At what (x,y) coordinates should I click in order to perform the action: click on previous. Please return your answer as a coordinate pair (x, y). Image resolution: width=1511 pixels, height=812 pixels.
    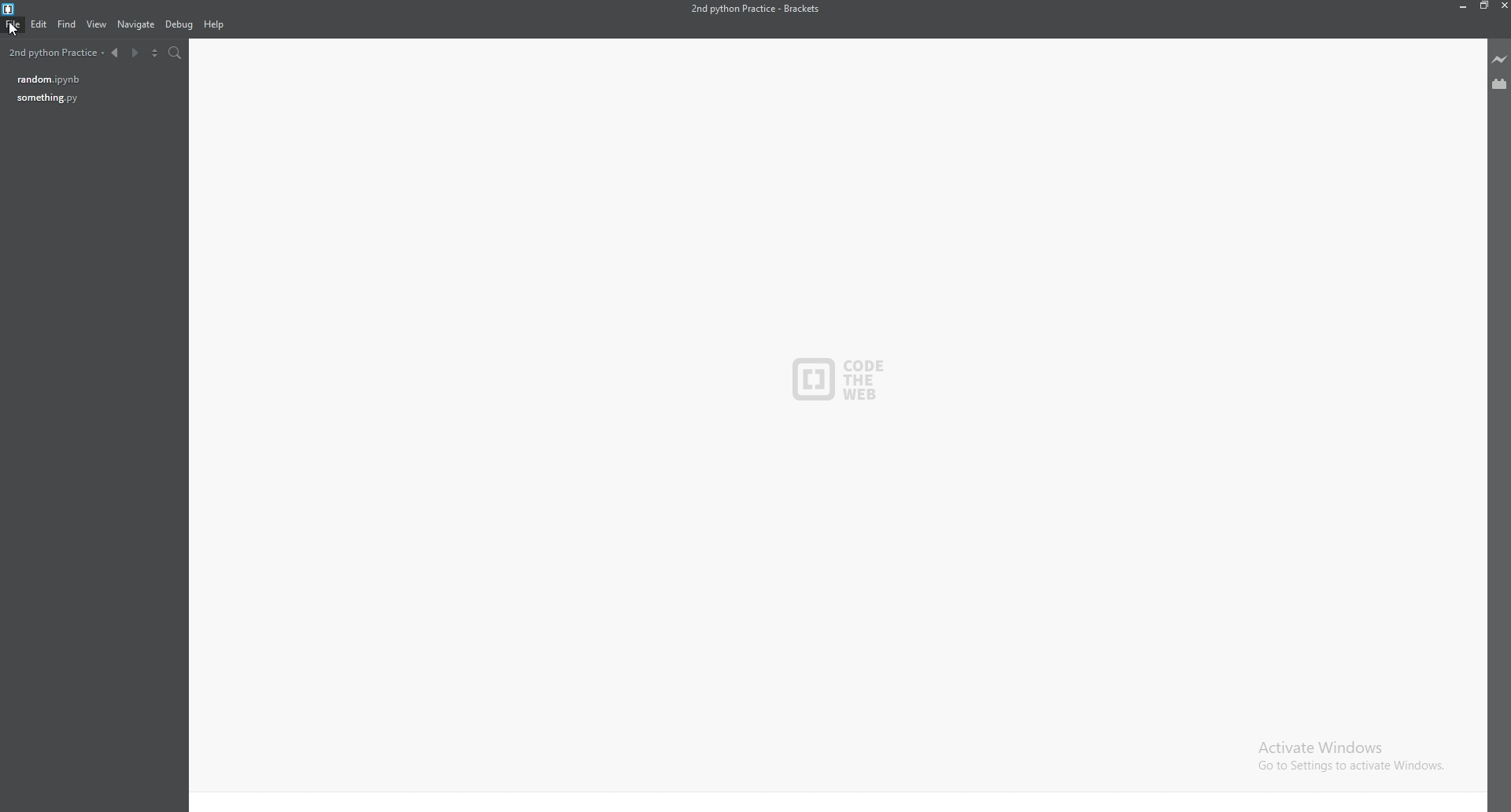
    Looking at the image, I should click on (117, 53).